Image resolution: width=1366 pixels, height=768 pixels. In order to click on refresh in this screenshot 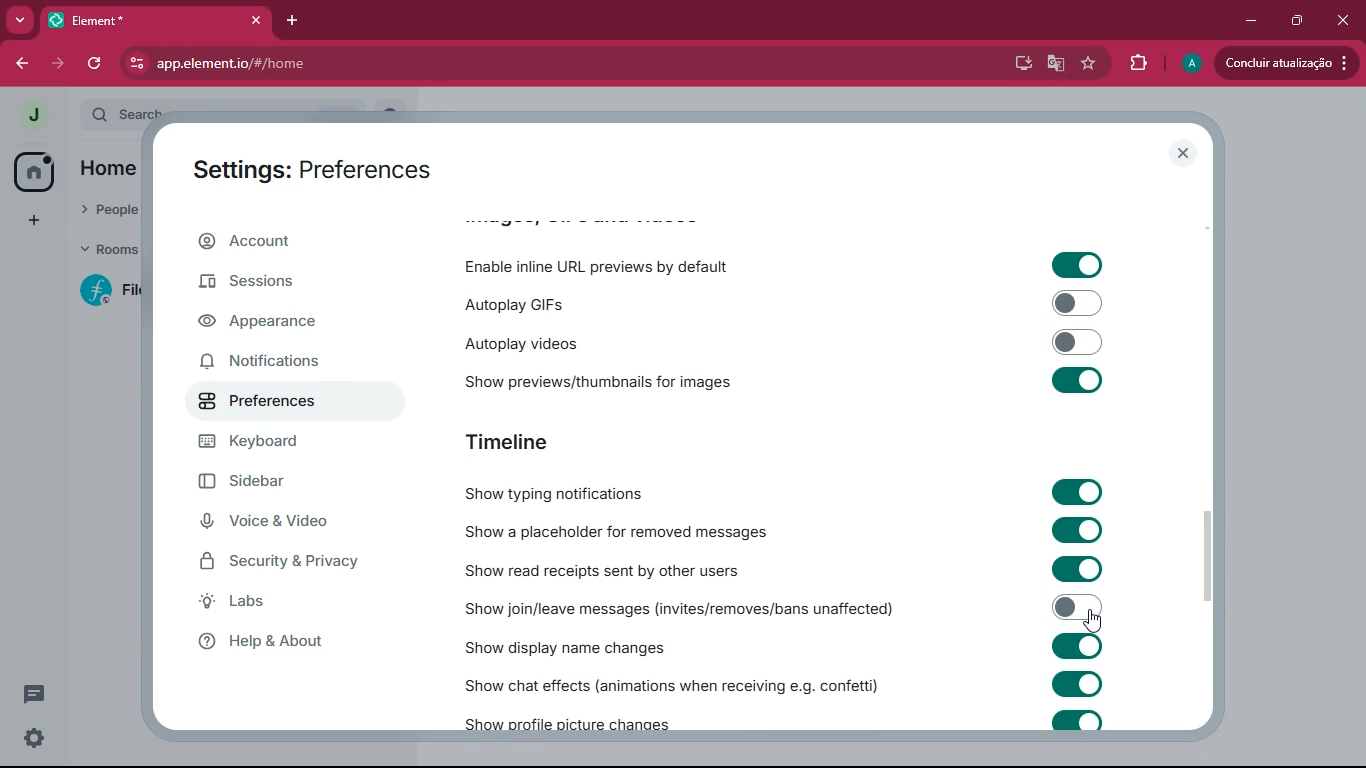, I will do `click(96, 65)`.